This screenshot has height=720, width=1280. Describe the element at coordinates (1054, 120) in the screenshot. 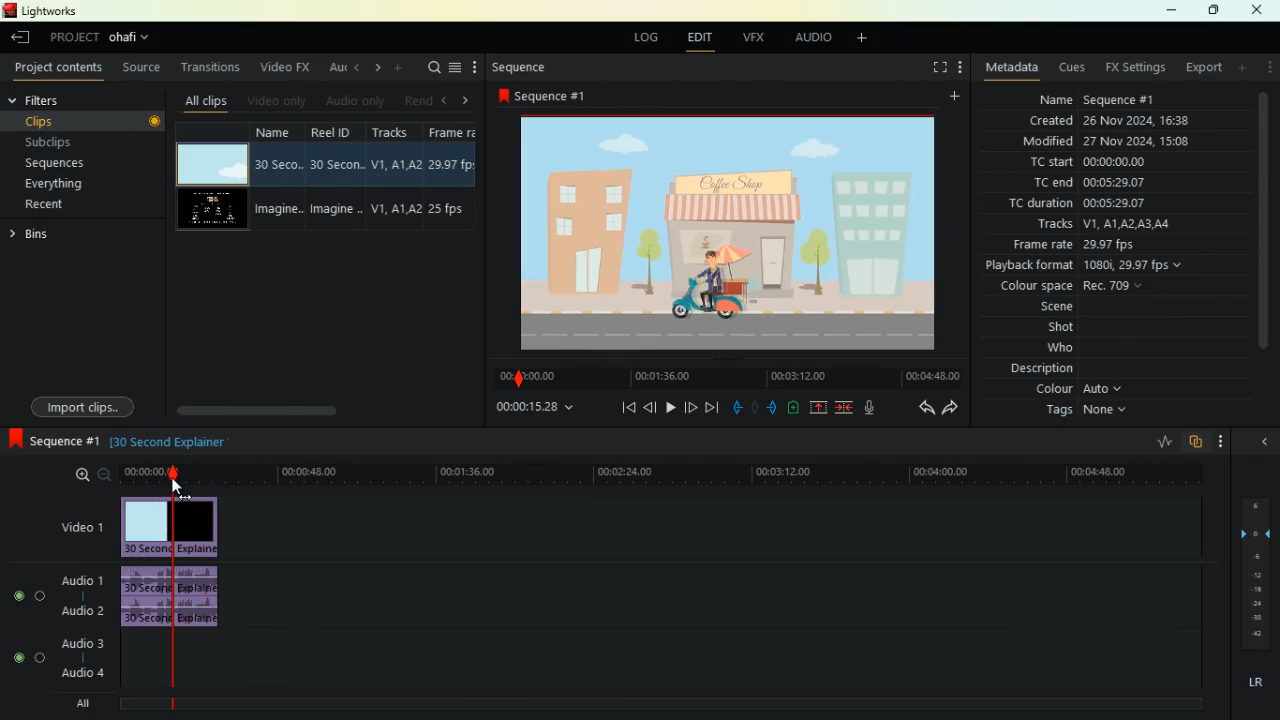

I see `created` at that location.